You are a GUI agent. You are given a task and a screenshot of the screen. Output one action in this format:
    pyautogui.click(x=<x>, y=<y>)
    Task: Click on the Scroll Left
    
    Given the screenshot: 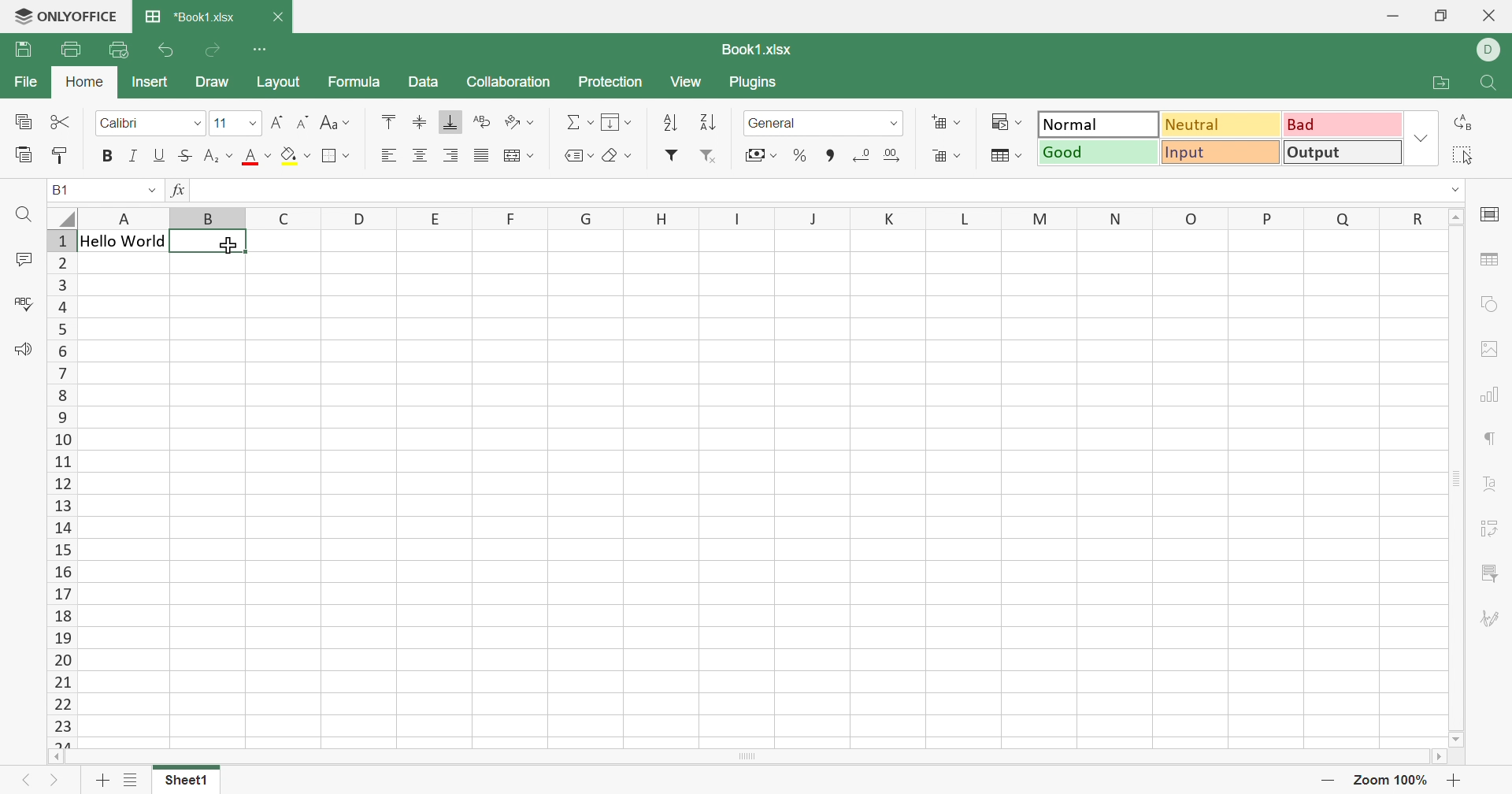 What is the action you would take?
    pyautogui.click(x=59, y=756)
    